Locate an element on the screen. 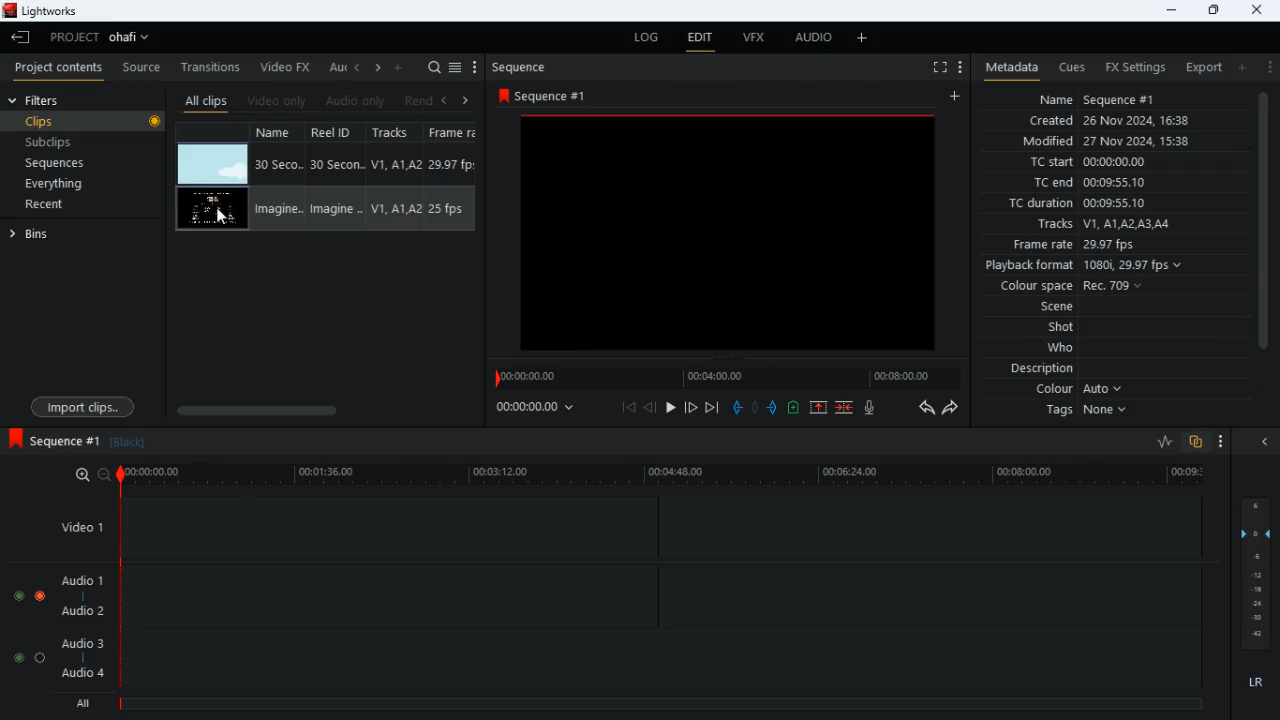  push is located at coordinates (774, 409).